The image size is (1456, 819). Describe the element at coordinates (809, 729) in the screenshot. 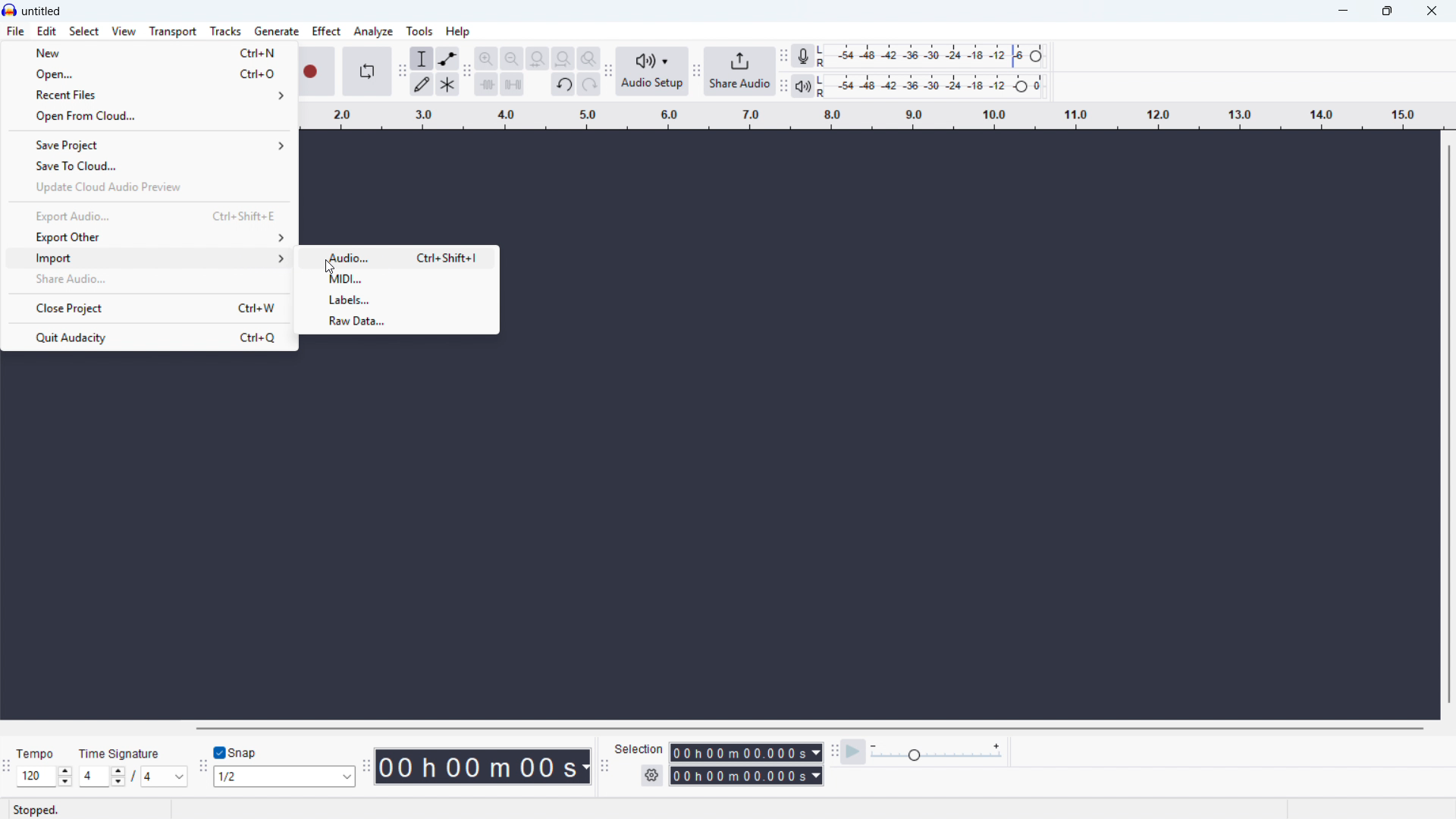

I see `Horizontal scroll bar` at that location.